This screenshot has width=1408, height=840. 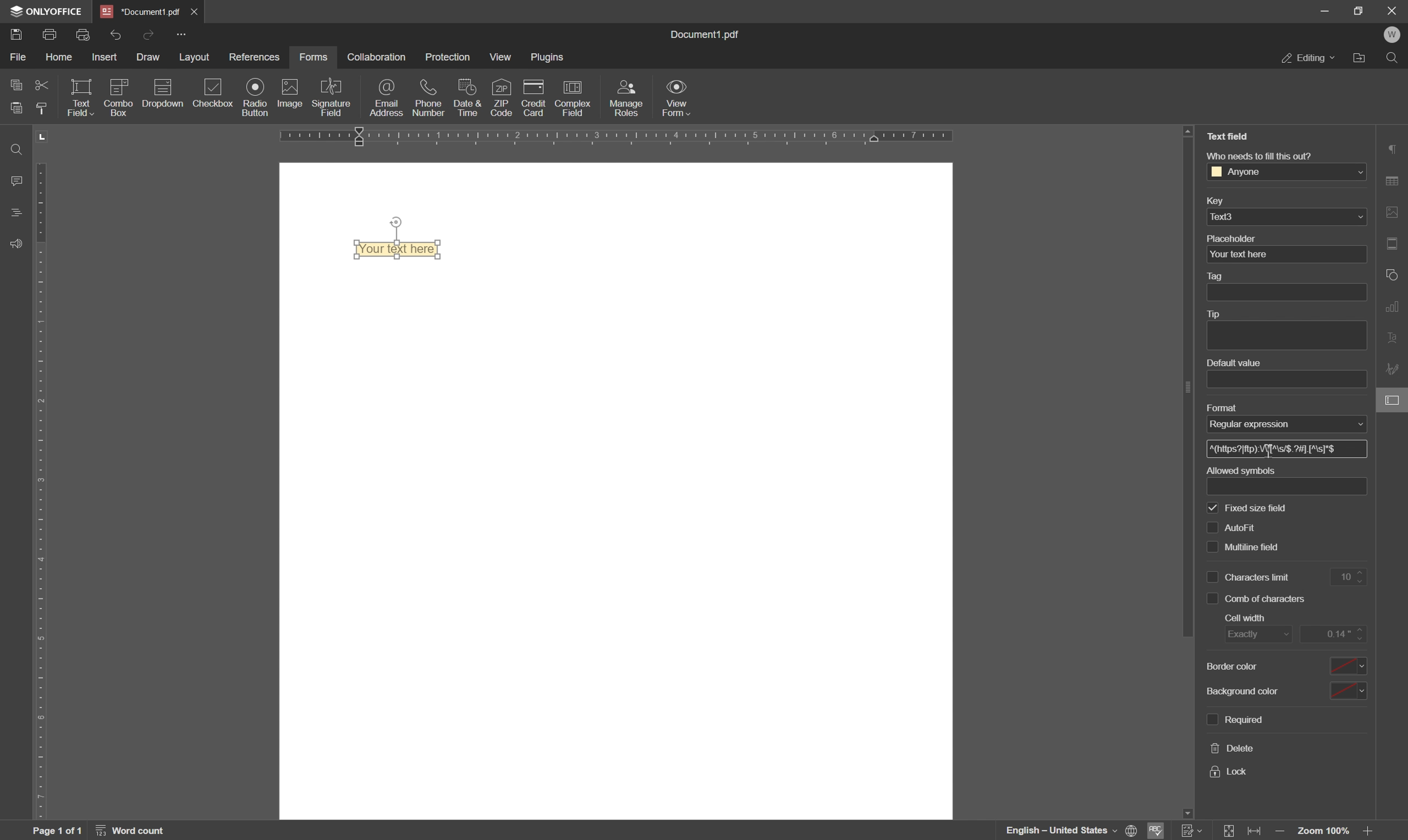 What do you see at coordinates (1218, 314) in the screenshot?
I see `tip` at bounding box center [1218, 314].